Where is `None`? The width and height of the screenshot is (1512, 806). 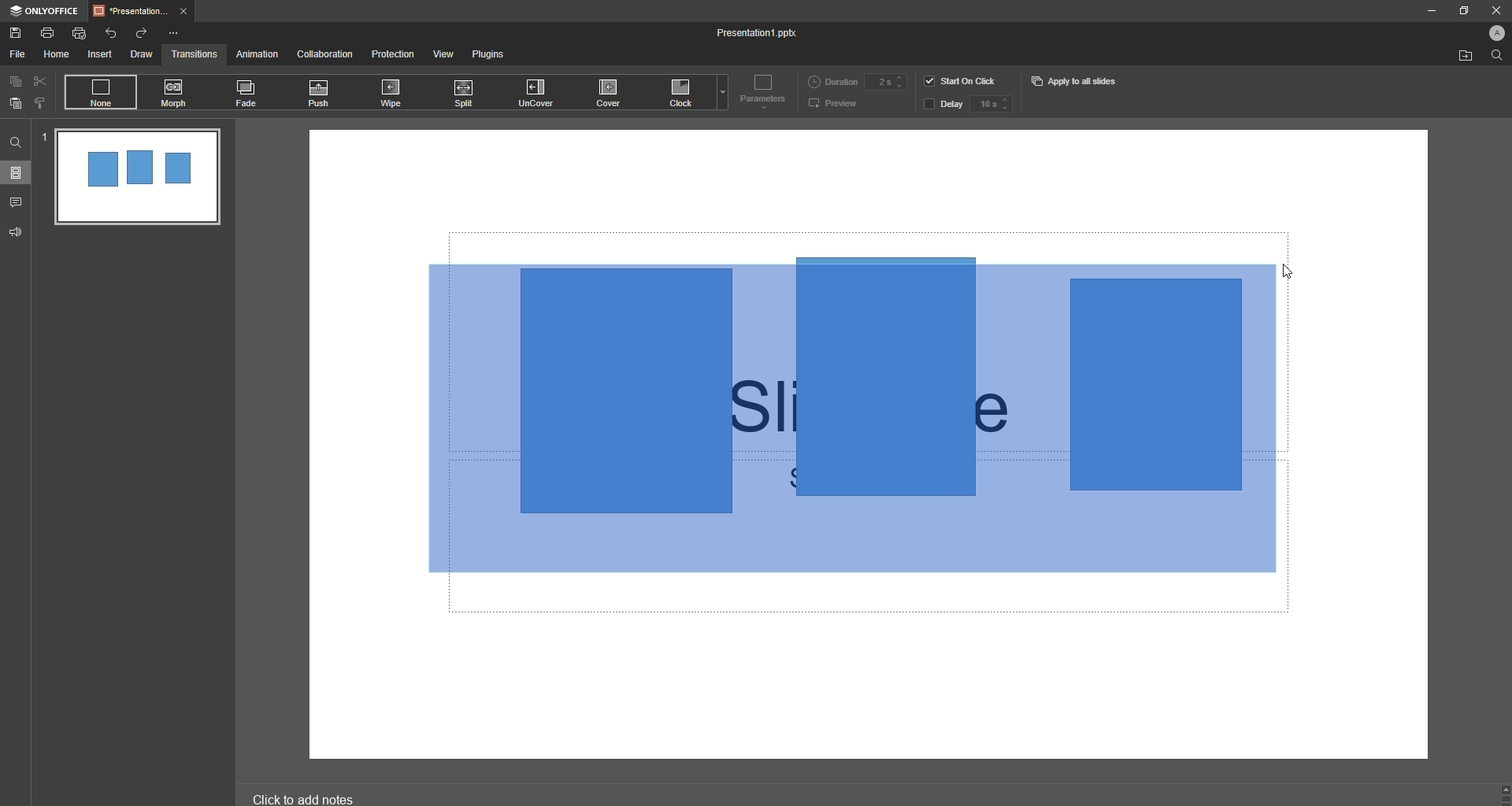 None is located at coordinates (99, 93).